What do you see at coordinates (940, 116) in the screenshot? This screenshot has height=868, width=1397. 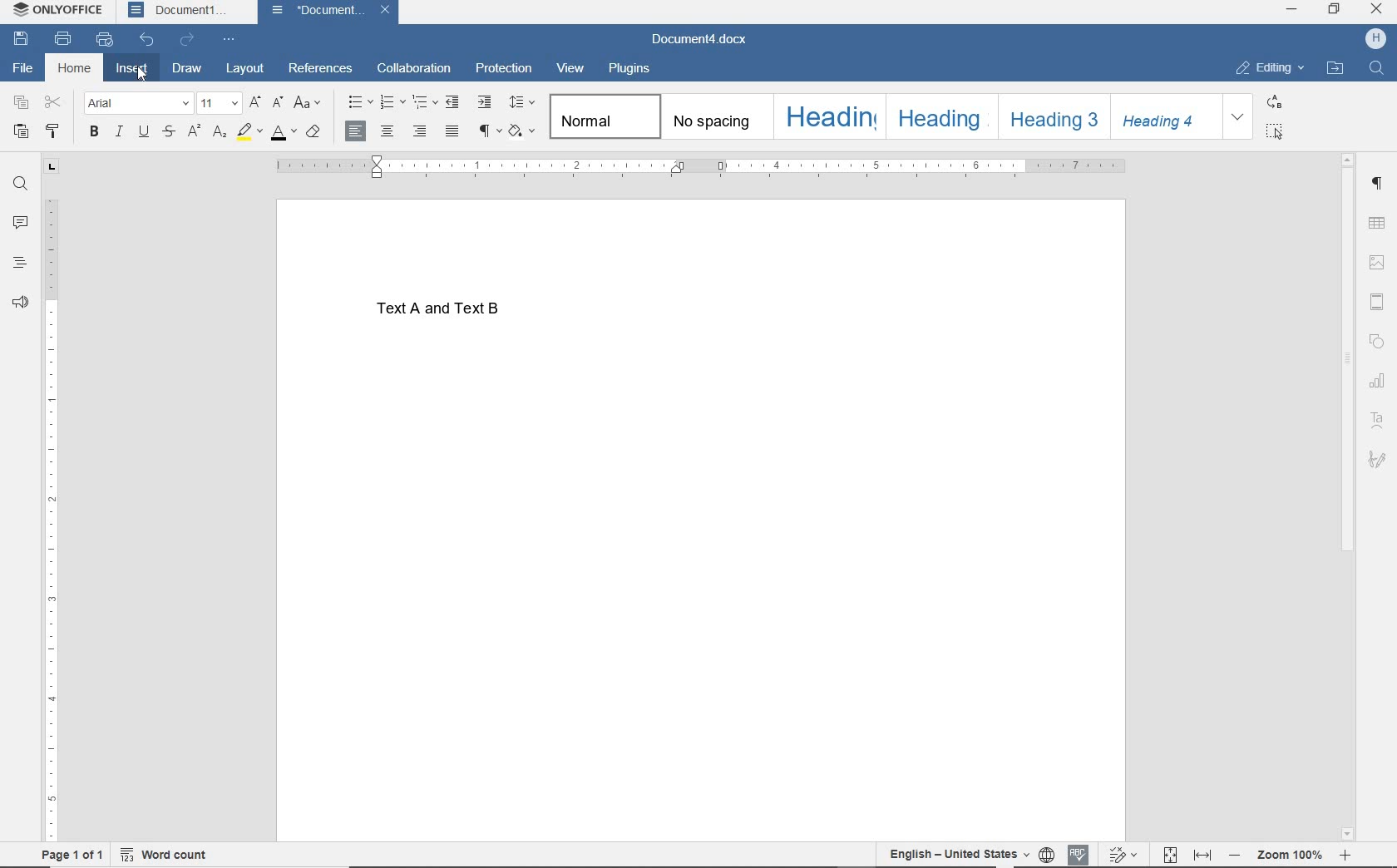 I see `HEADING 2` at bounding box center [940, 116].